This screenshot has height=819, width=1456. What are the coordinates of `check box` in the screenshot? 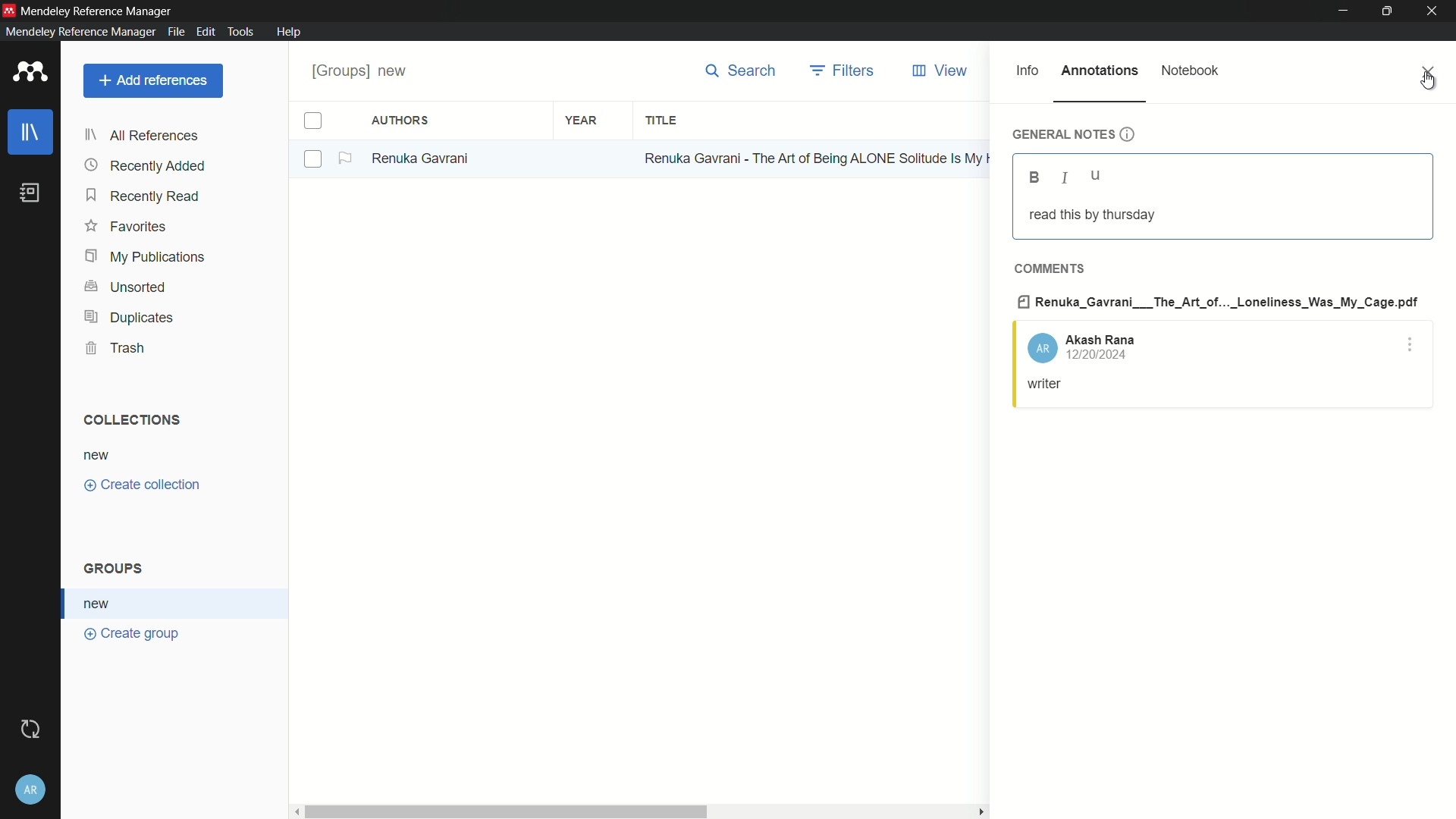 It's located at (313, 121).